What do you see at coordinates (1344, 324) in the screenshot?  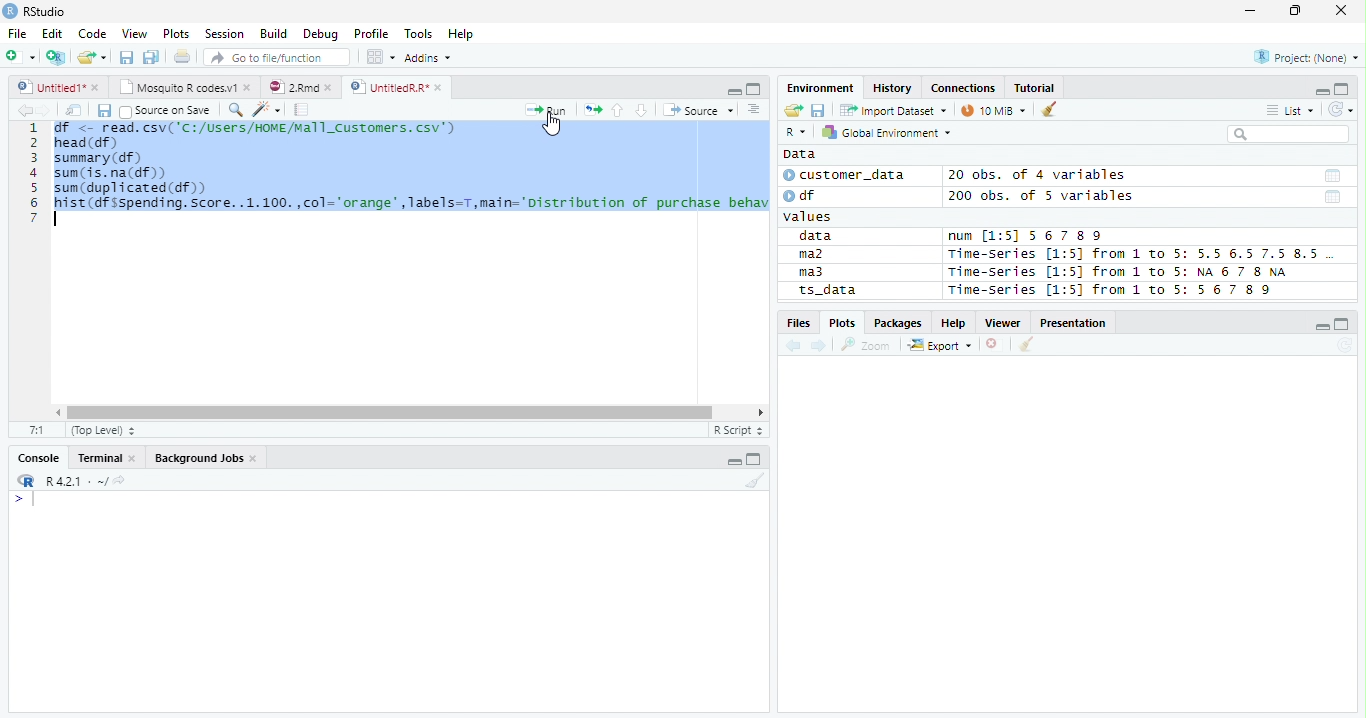 I see `Maximize` at bounding box center [1344, 324].